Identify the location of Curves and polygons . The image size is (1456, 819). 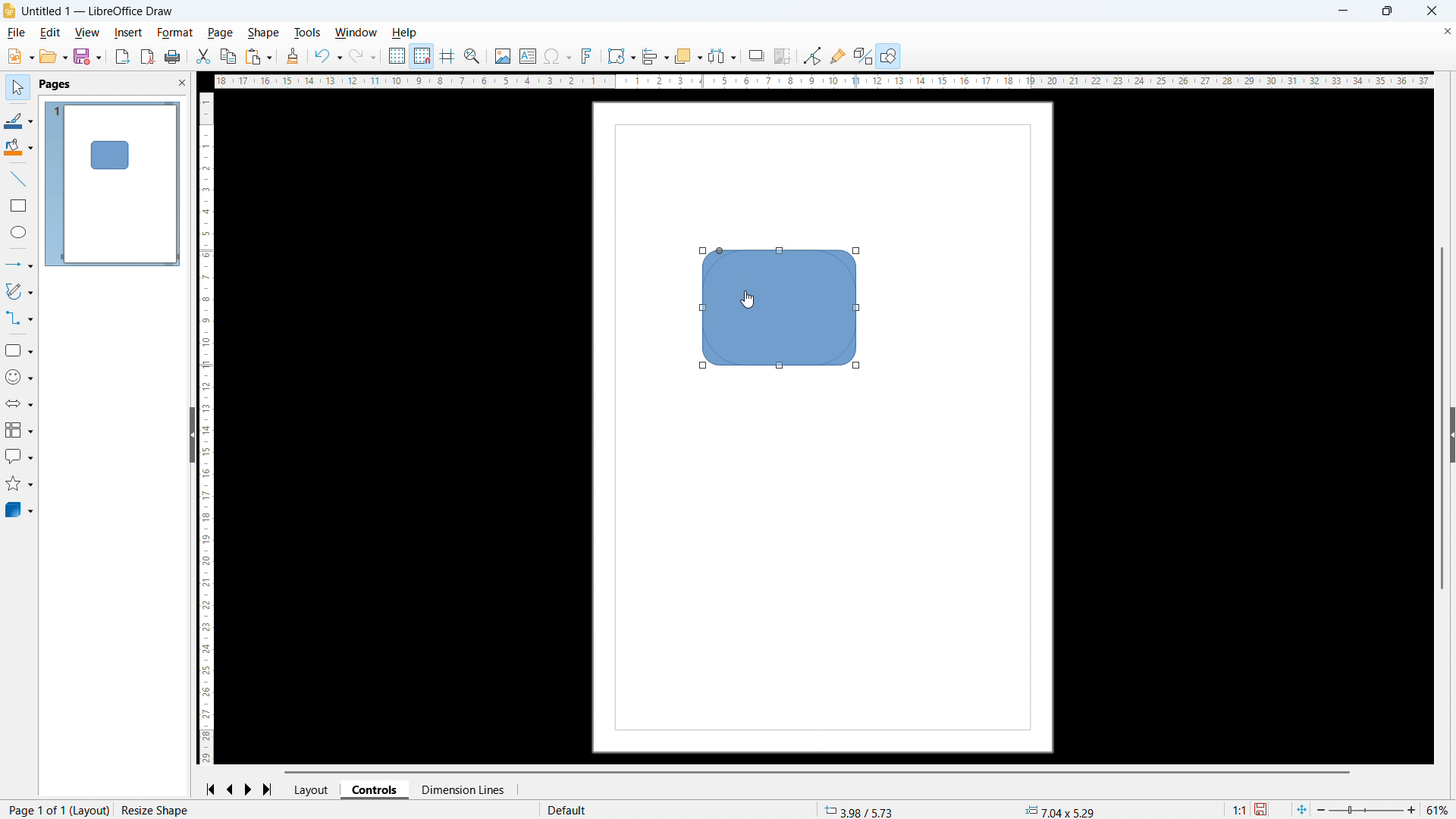
(19, 291).